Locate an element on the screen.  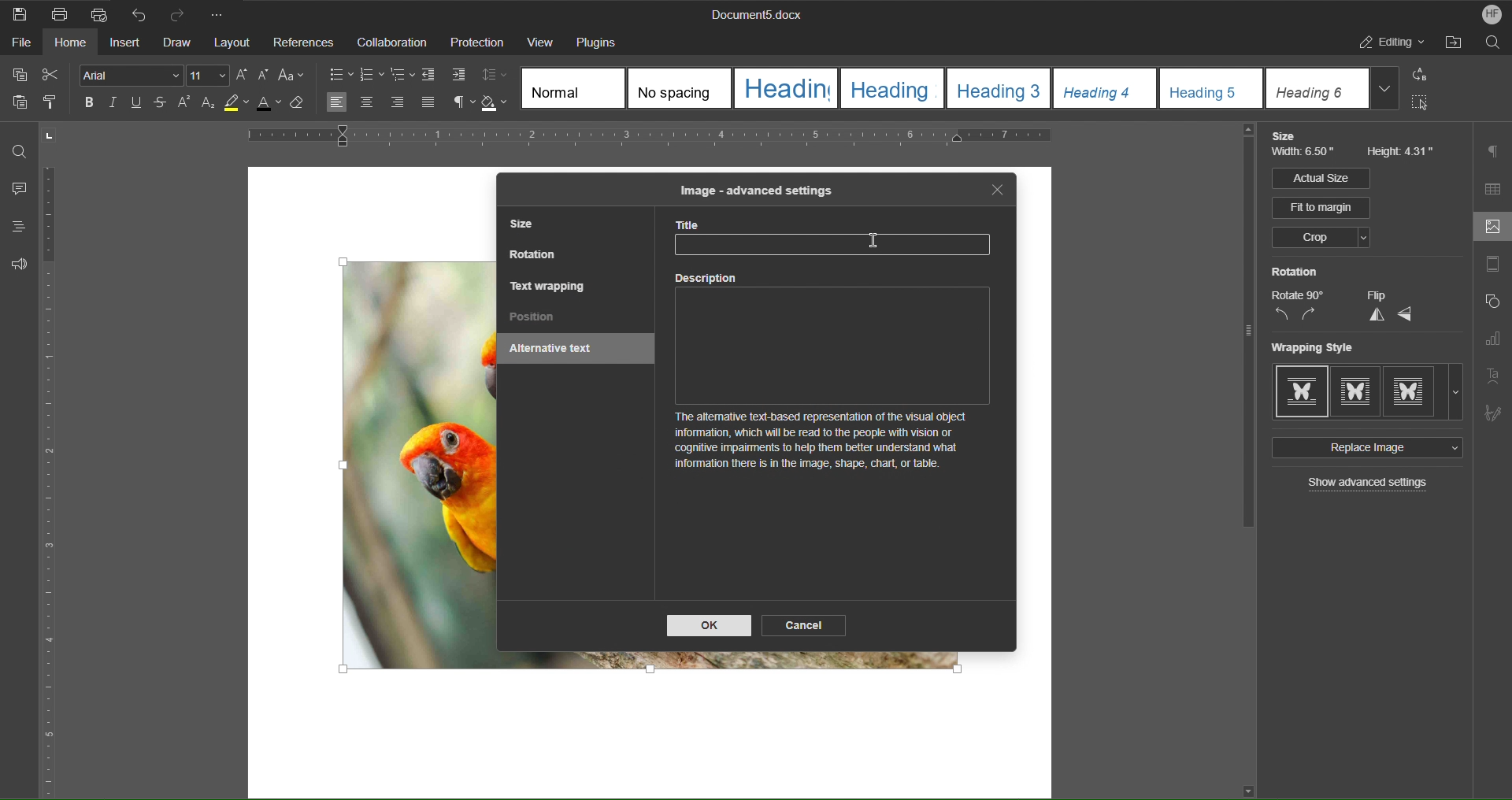
Wrapping Style is located at coordinates (1368, 392).